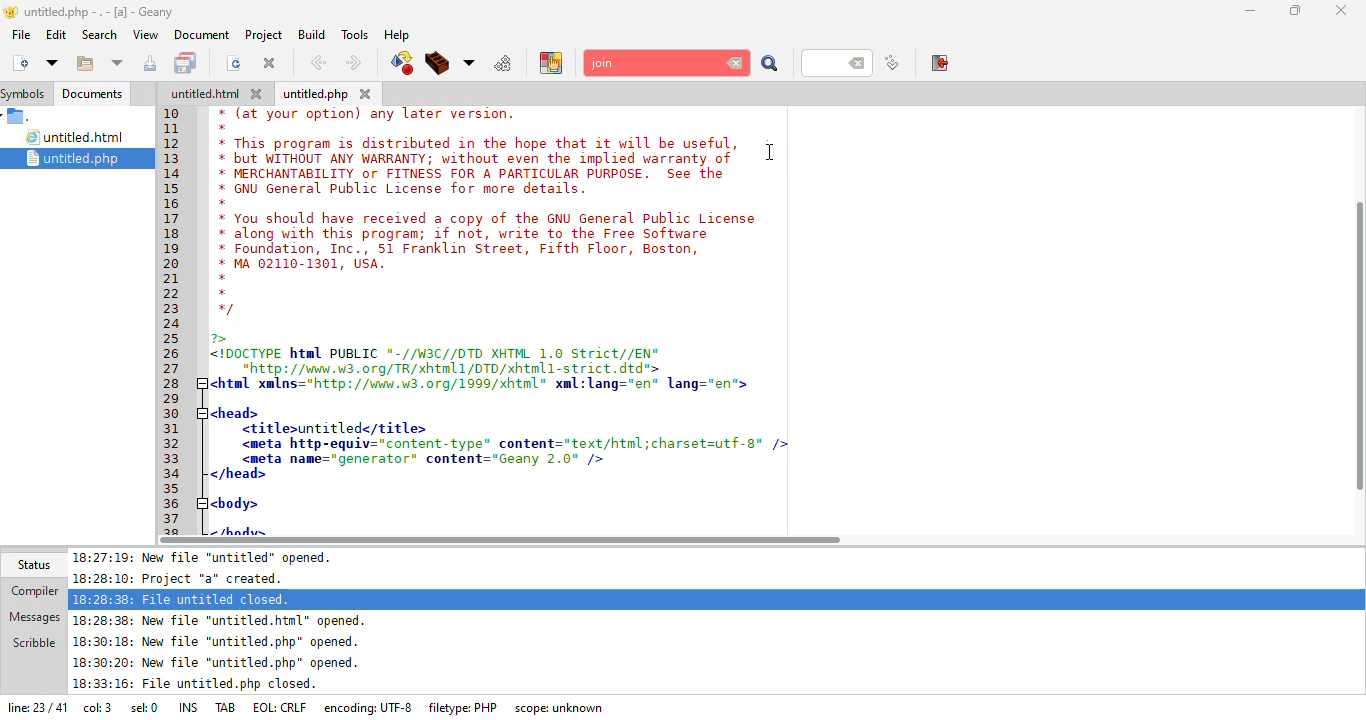 The image size is (1366, 720). I want to click on search line number, so click(836, 62).